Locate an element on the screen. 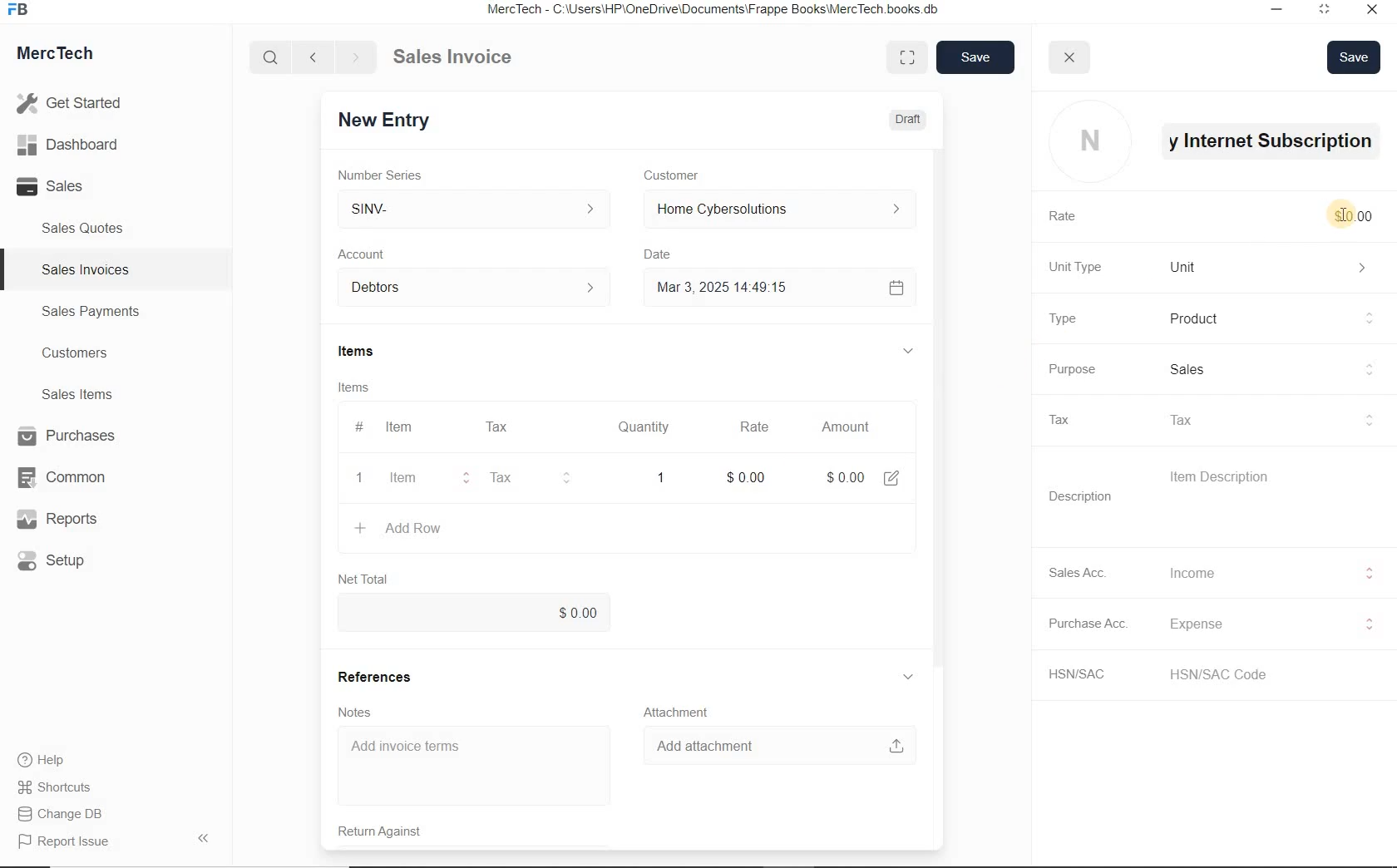  Date is located at coordinates (661, 254).